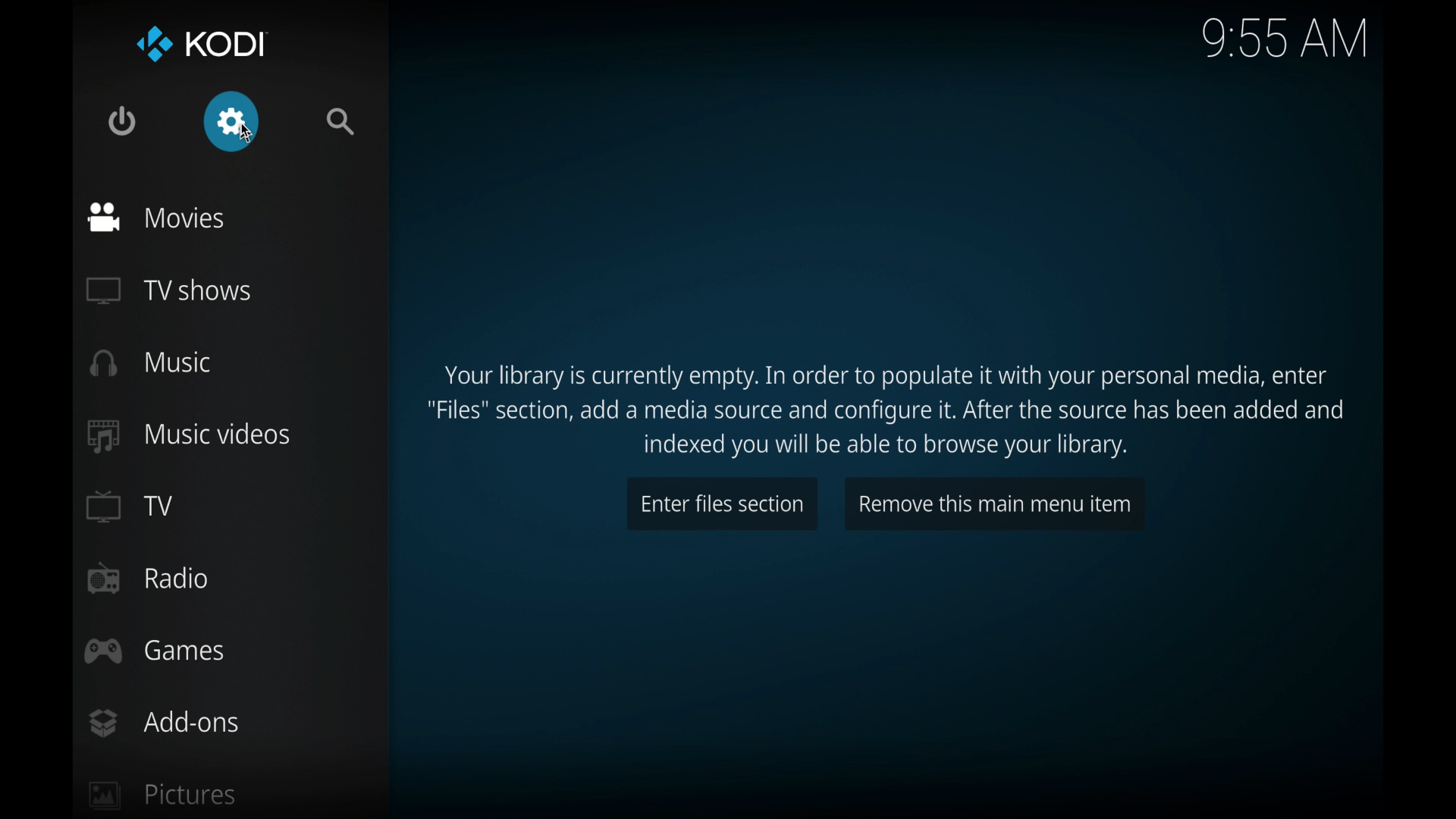 This screenshot has height=819, width=1456. Describe the element at coordinates (151, 362) in the screenshot. I see `music` at that location.